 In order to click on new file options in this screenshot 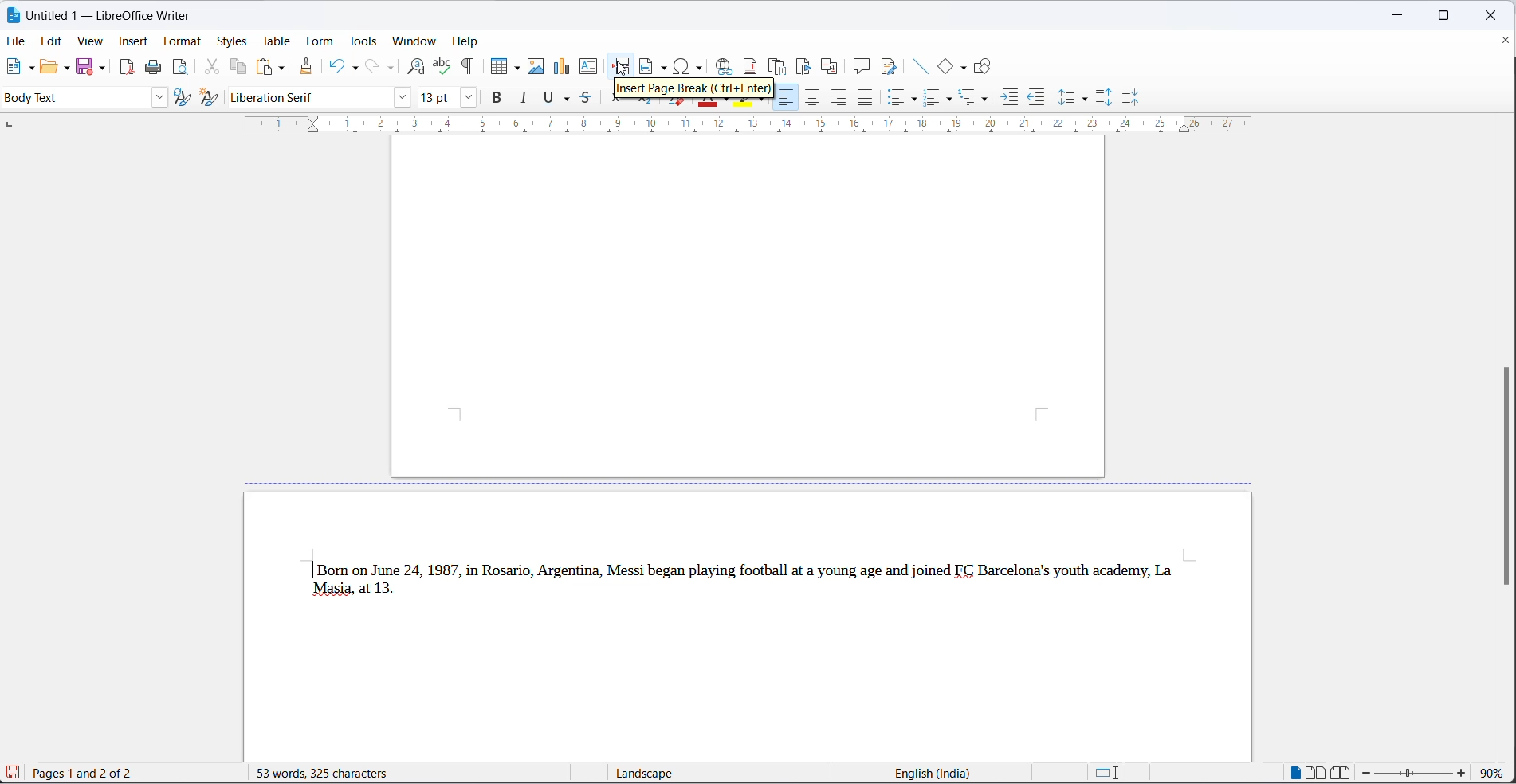, I will do `click(29, 69)`.